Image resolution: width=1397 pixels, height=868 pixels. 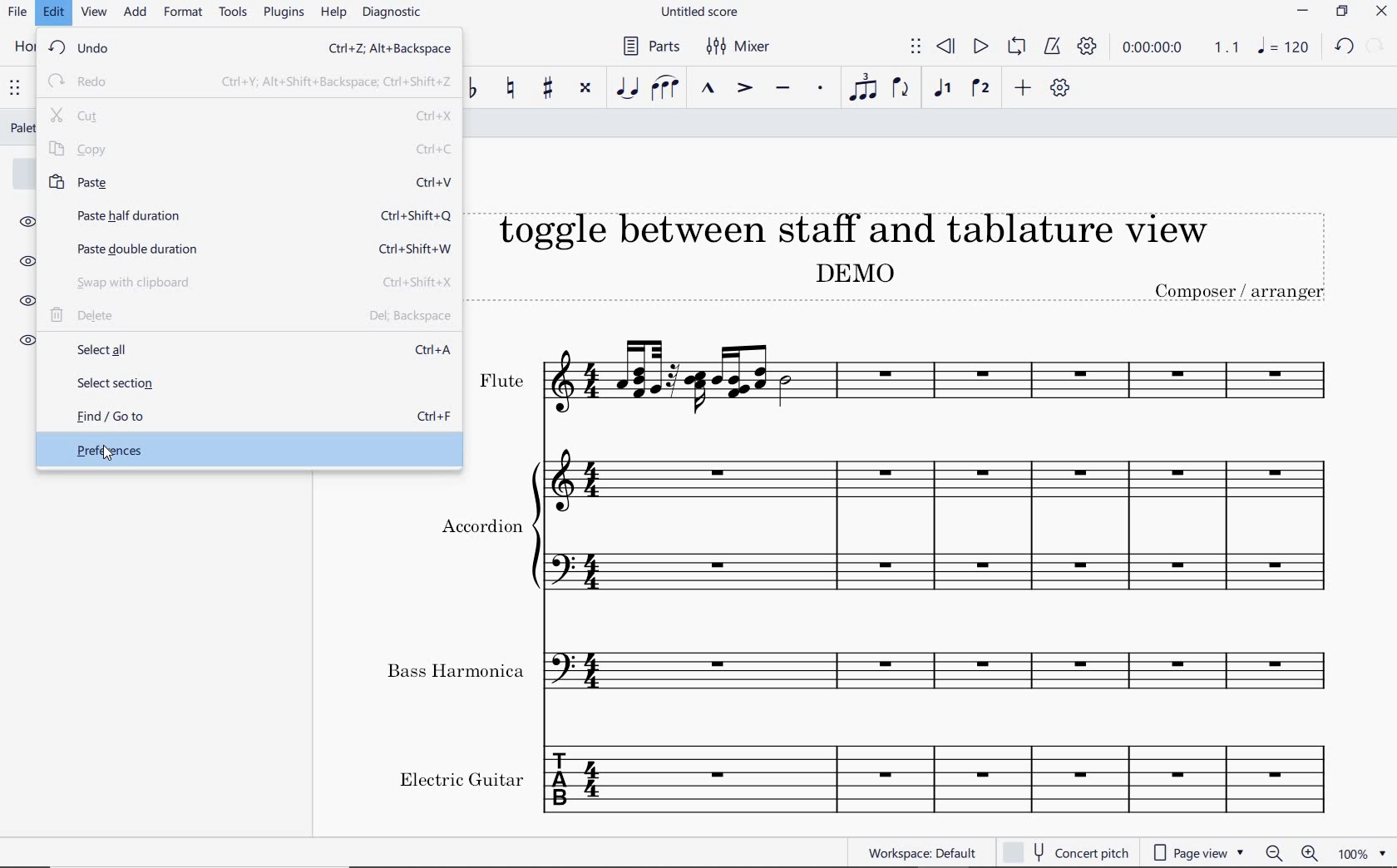 What do you see at coordinates (109, 456) in the screenshot?
I see `cursor` at bounding box center [109, 456].